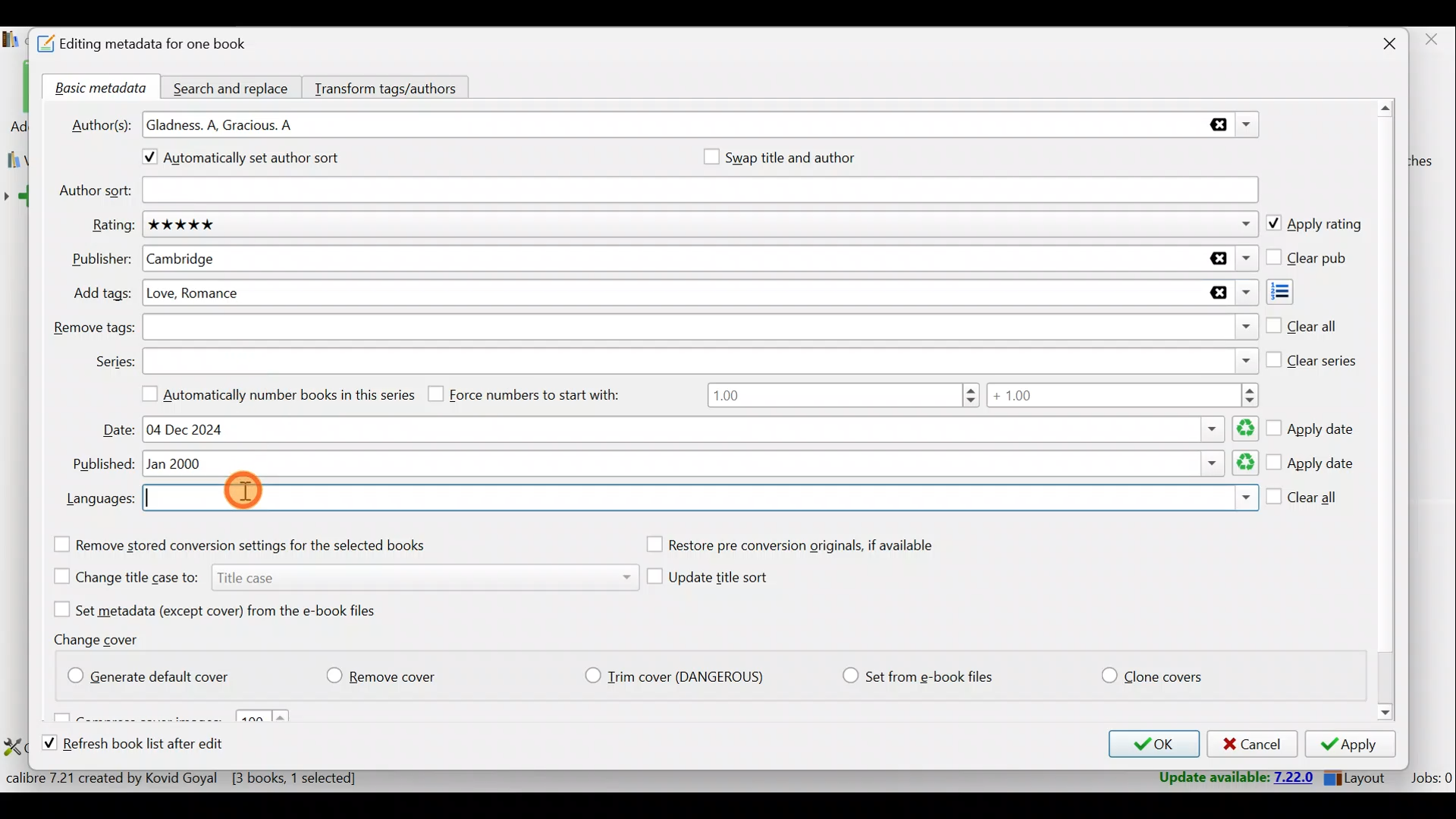 The image size is (1456, 819). What do you see at coordinates (699, 191) in the screenshot?
I see `Author sort` at bounding box center [699, 191].